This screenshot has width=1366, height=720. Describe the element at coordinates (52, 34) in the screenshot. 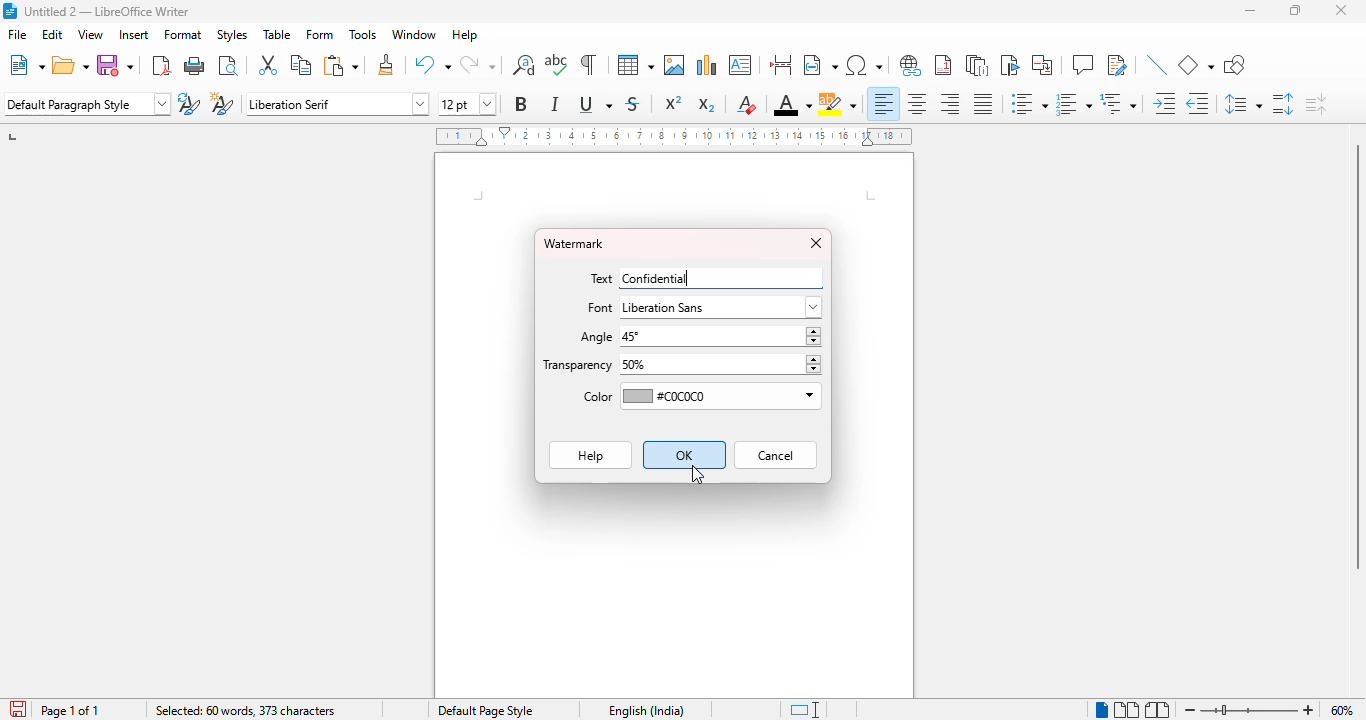

I see `edit` at that location.